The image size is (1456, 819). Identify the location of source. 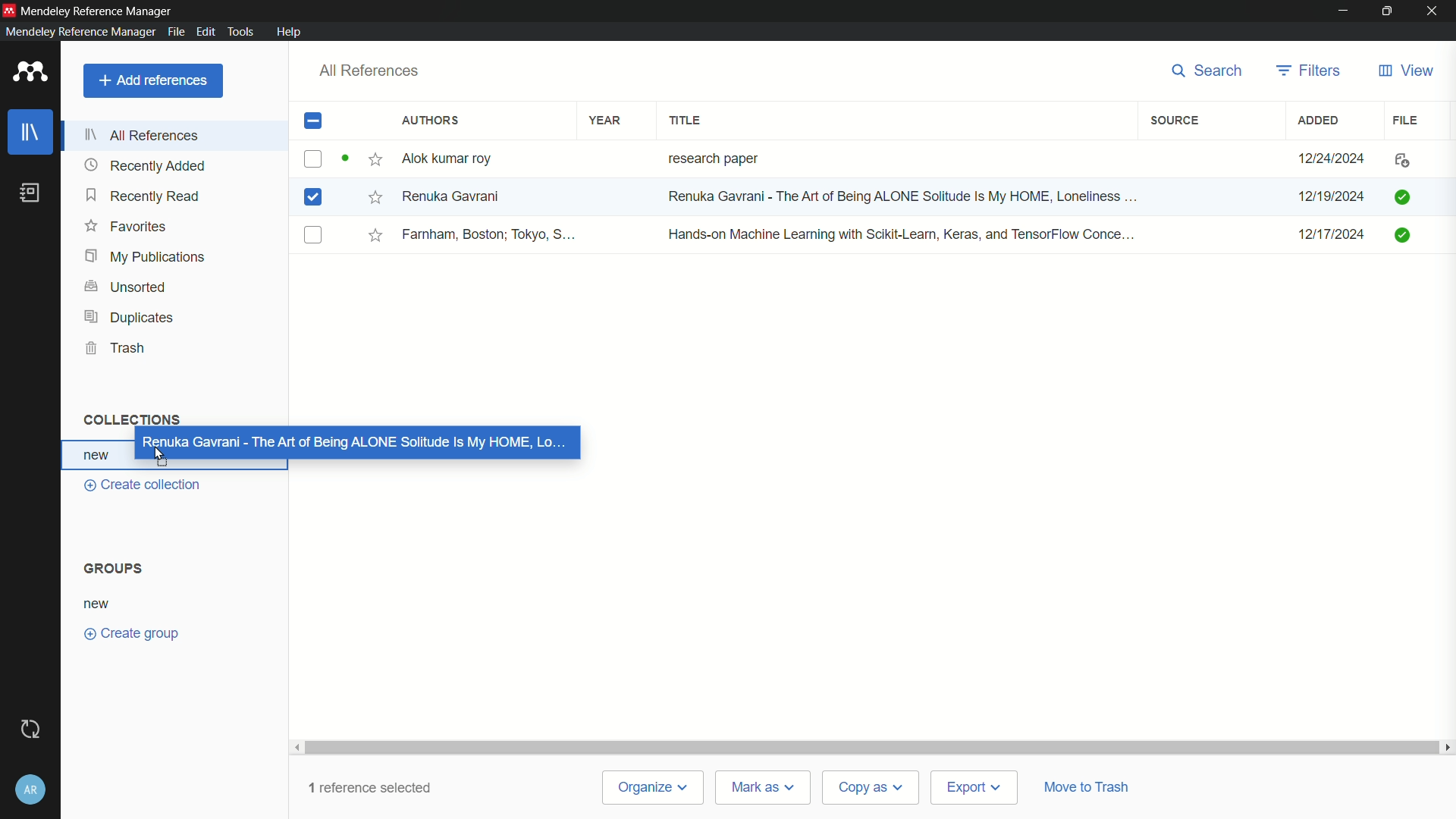
(1175, 121).